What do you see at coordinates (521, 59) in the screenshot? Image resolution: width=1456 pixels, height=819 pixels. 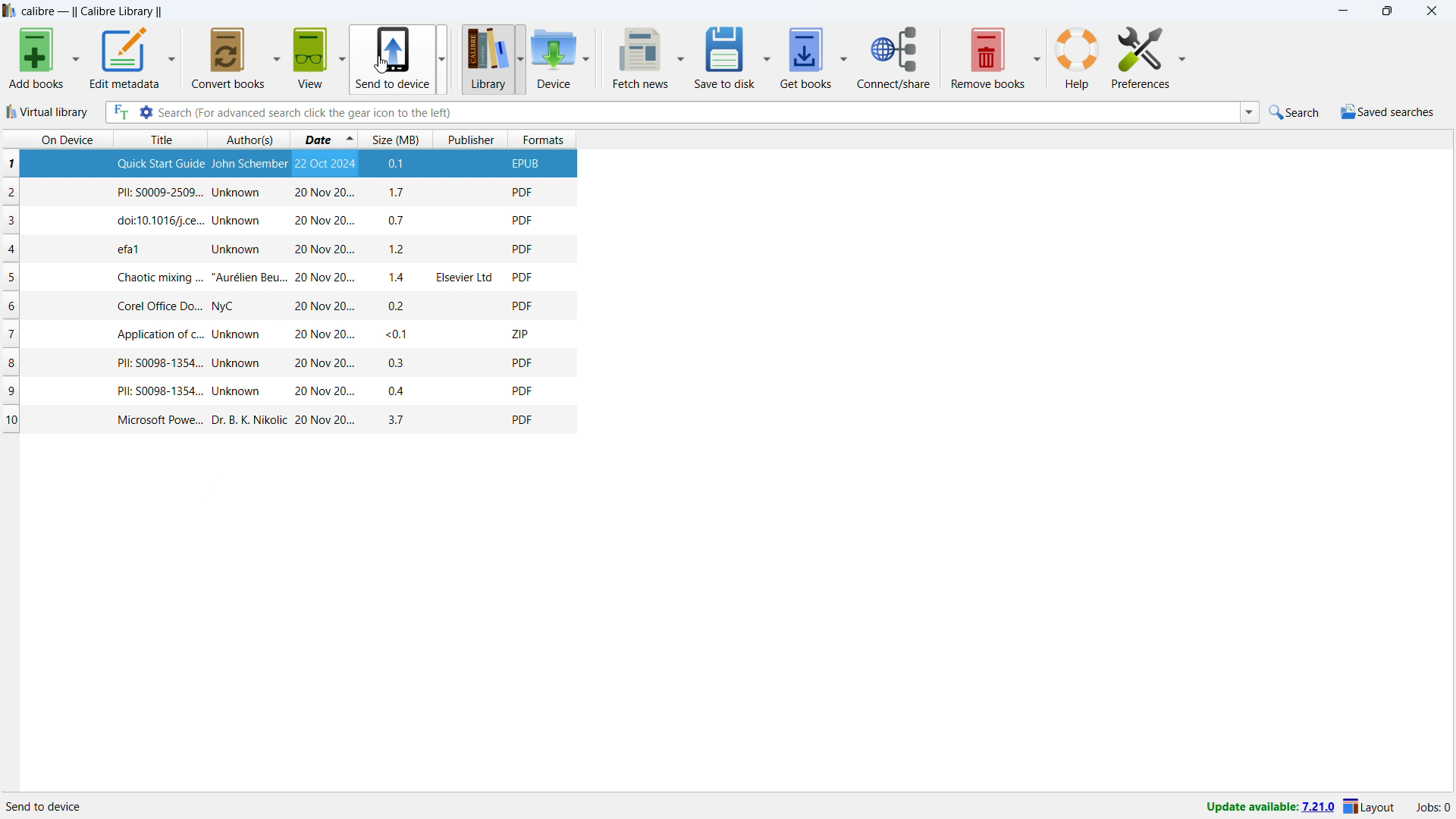 I see `library options` at bounding box center [521, 59].